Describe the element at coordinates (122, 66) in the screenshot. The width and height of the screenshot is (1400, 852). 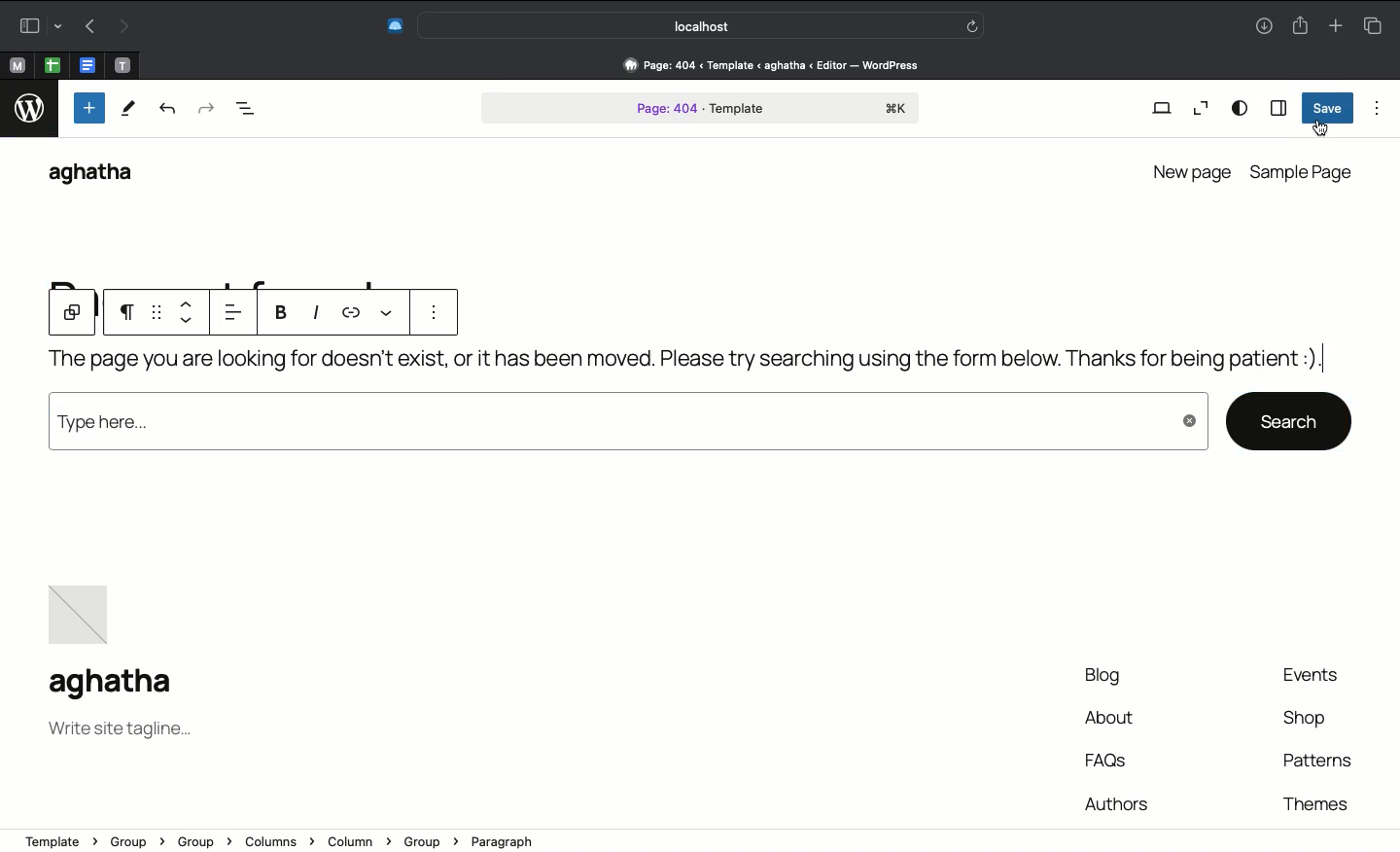
I see `open tab` at that location.